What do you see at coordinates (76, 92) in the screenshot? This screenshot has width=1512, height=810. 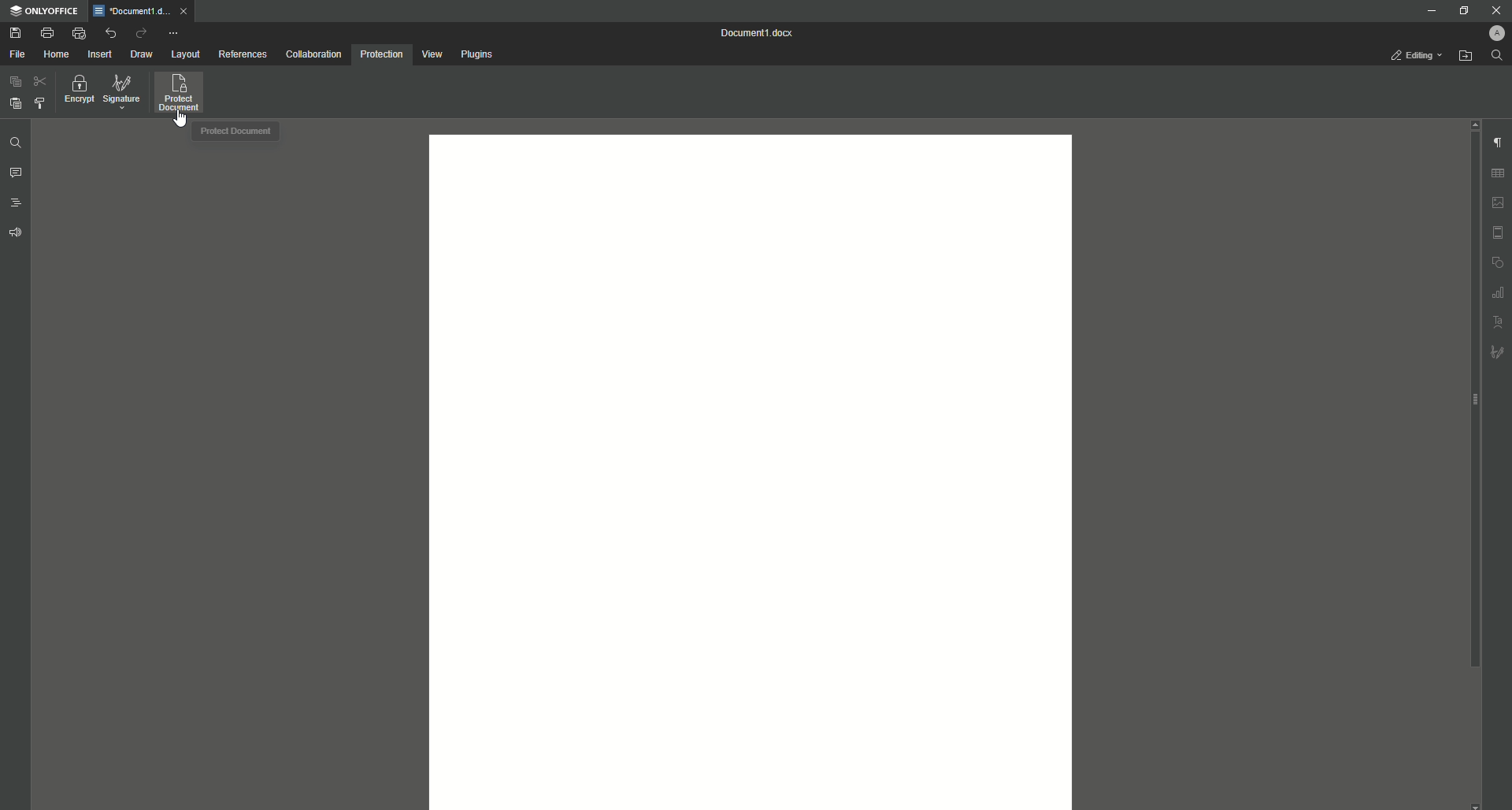 I see `Encrypt` at bounding box center [76, 92].